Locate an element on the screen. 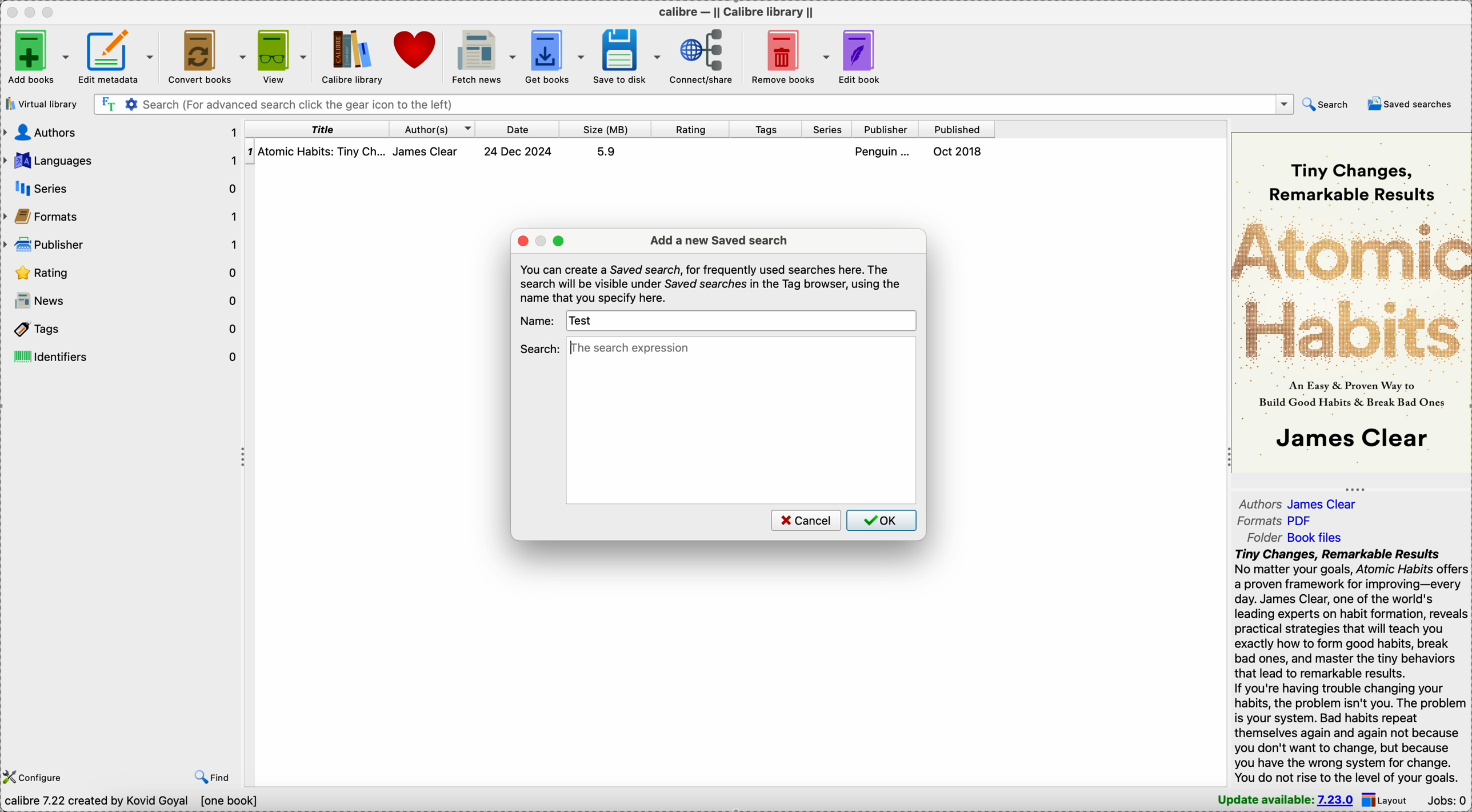  close pop-up is located at coordinates (522, 240).